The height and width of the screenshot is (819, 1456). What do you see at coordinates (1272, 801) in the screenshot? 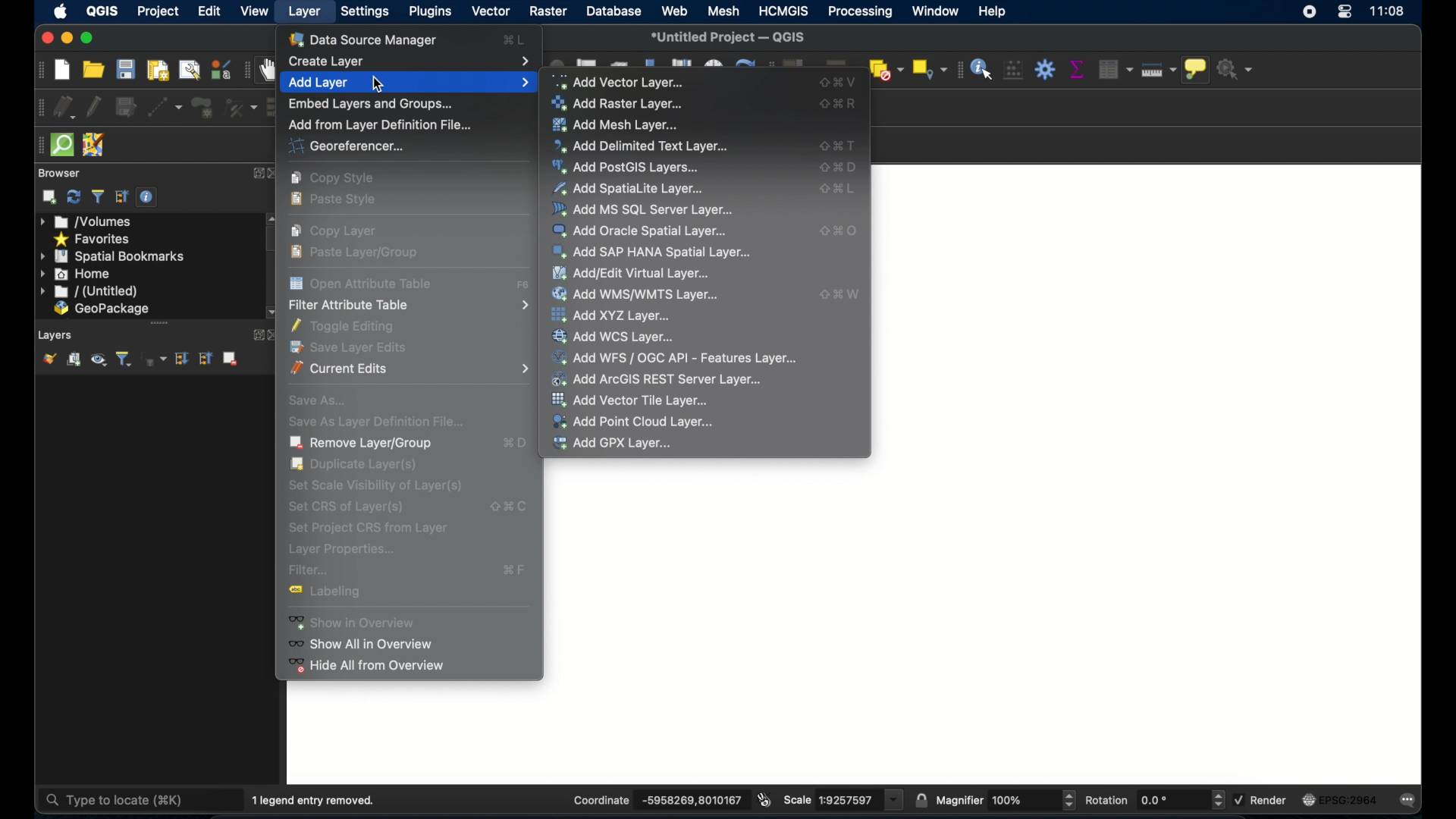
I see `render` at bounding box center [1272, 801].